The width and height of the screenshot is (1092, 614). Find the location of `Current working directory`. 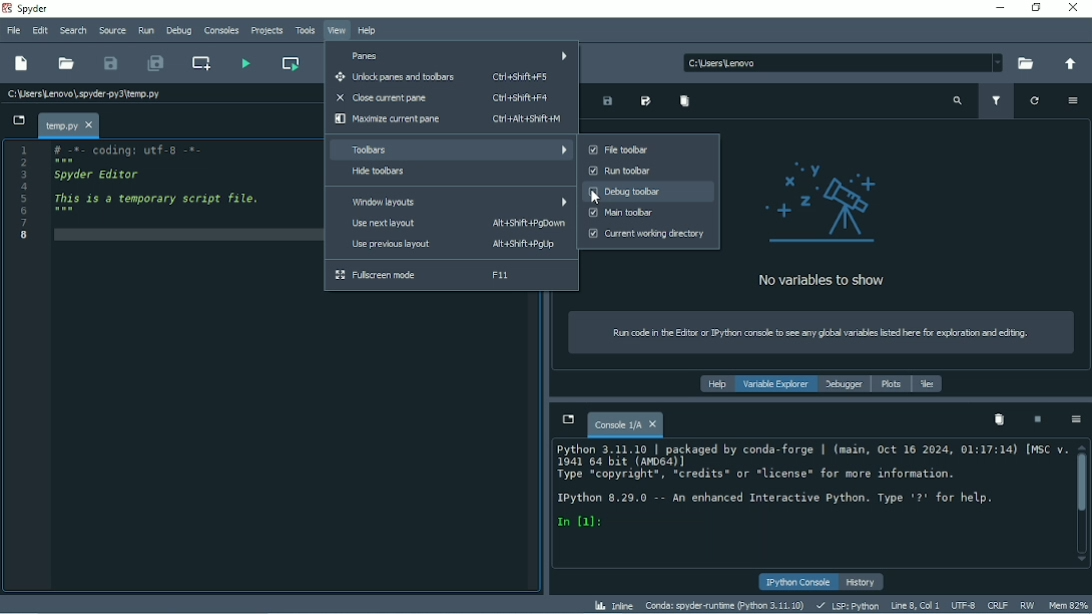

Current working directory is located at coordinates (646, 234).